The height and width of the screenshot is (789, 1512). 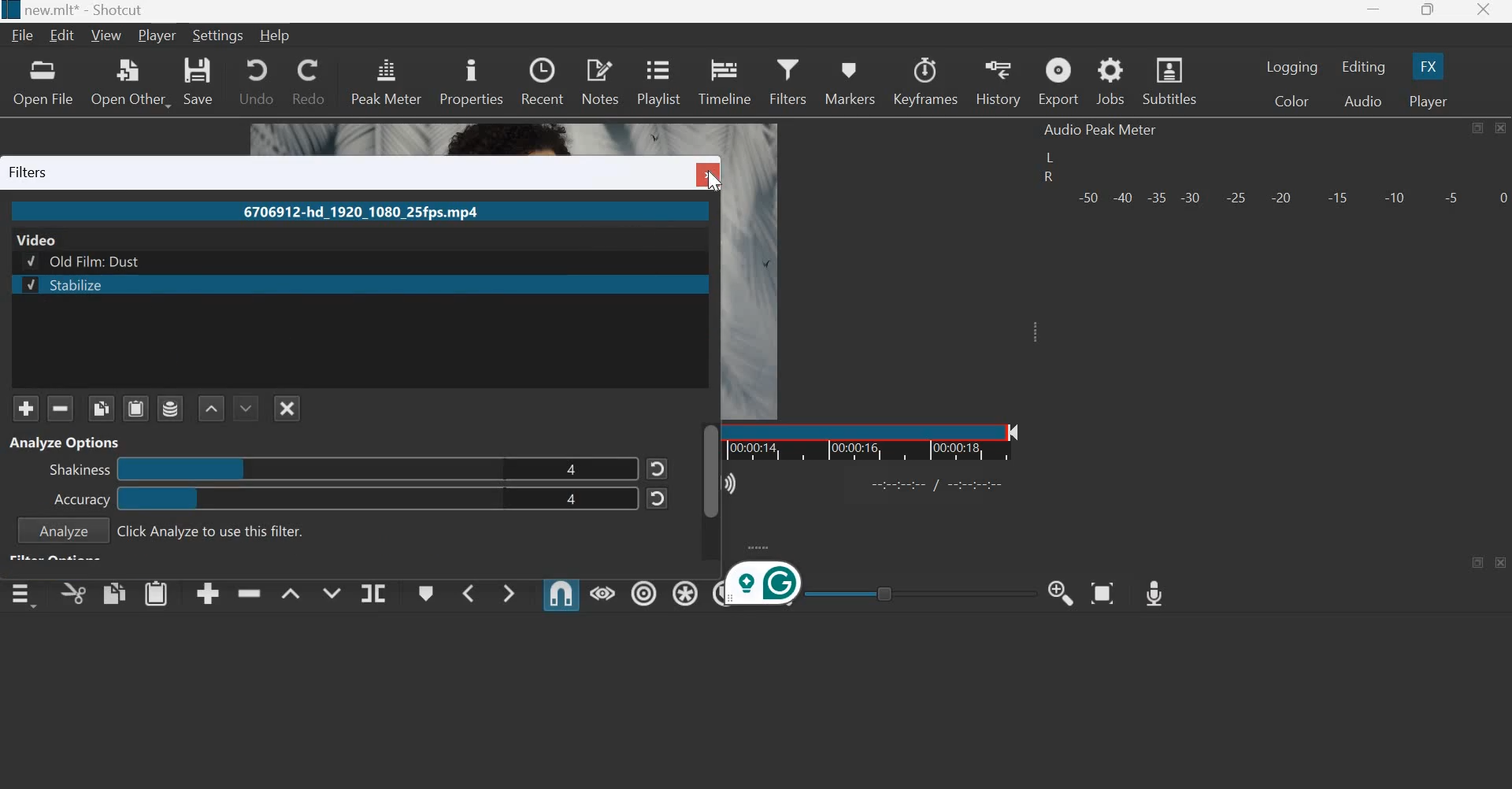 What do you see at coordinates (156, 593) in the screenshot?
I see `paste` at bounding box center [156, 593].